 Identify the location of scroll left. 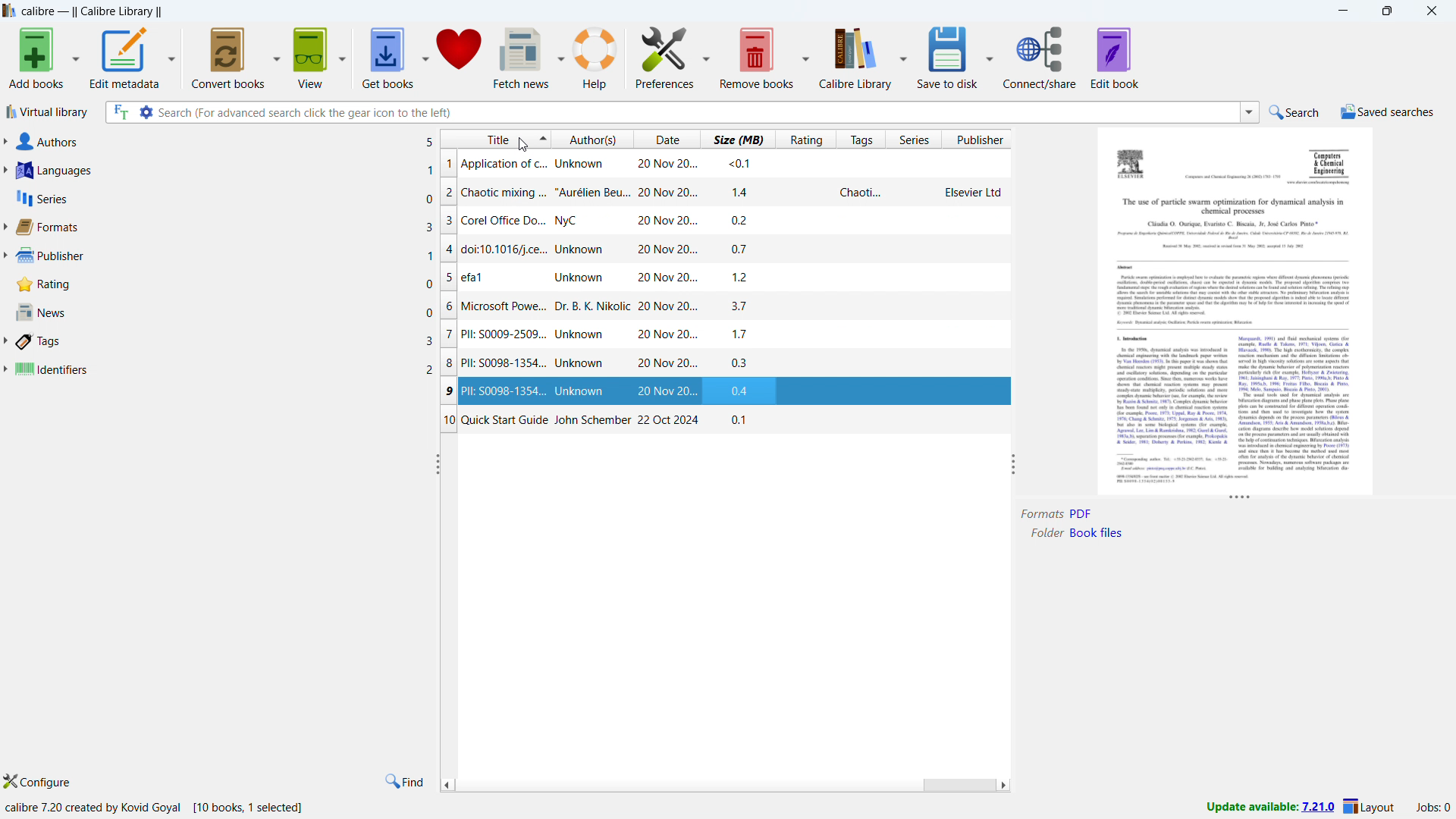
(445, 783).